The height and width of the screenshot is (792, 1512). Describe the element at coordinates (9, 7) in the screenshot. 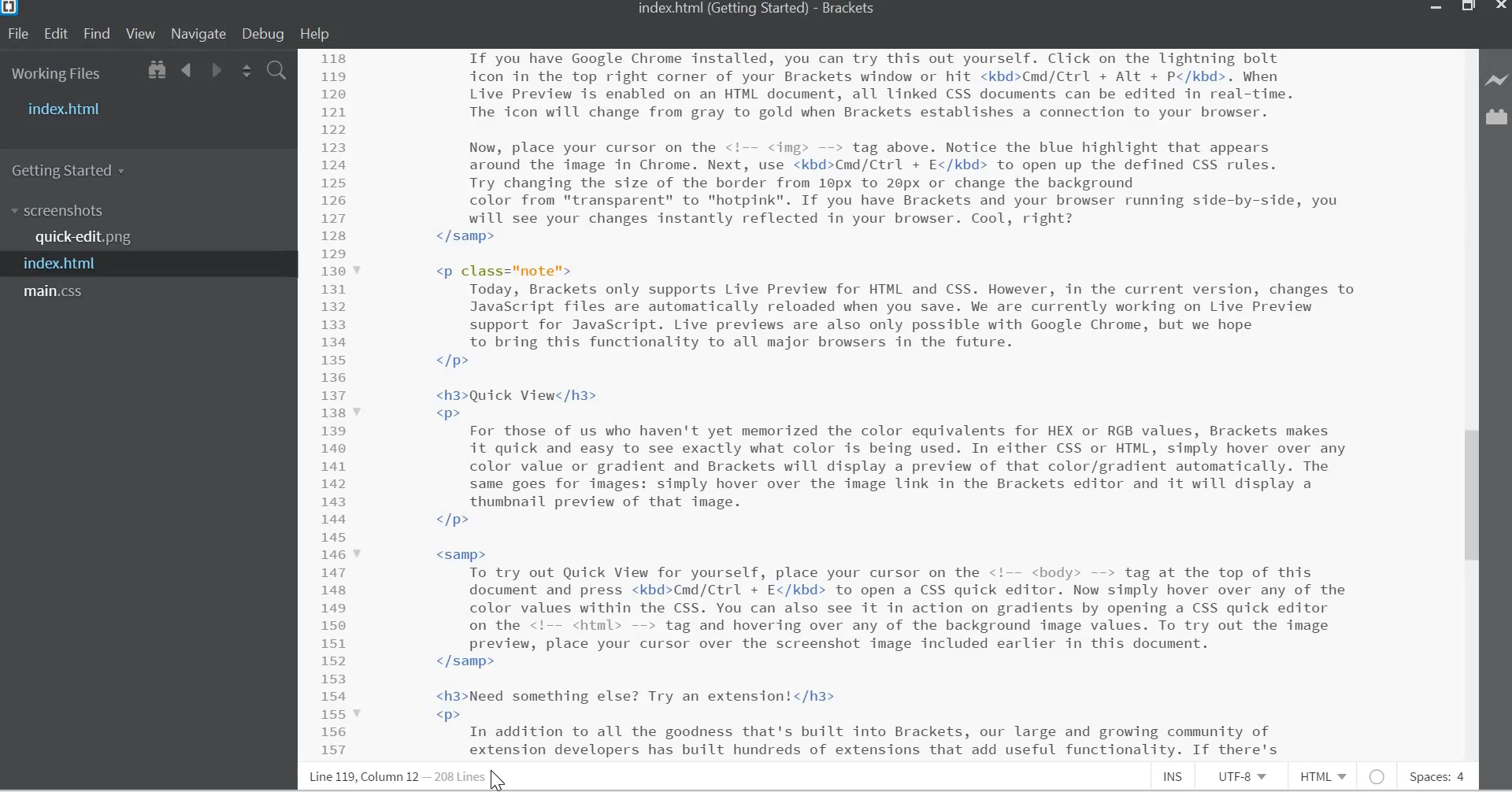

I see `Bracket Desktop Icon` at that location.